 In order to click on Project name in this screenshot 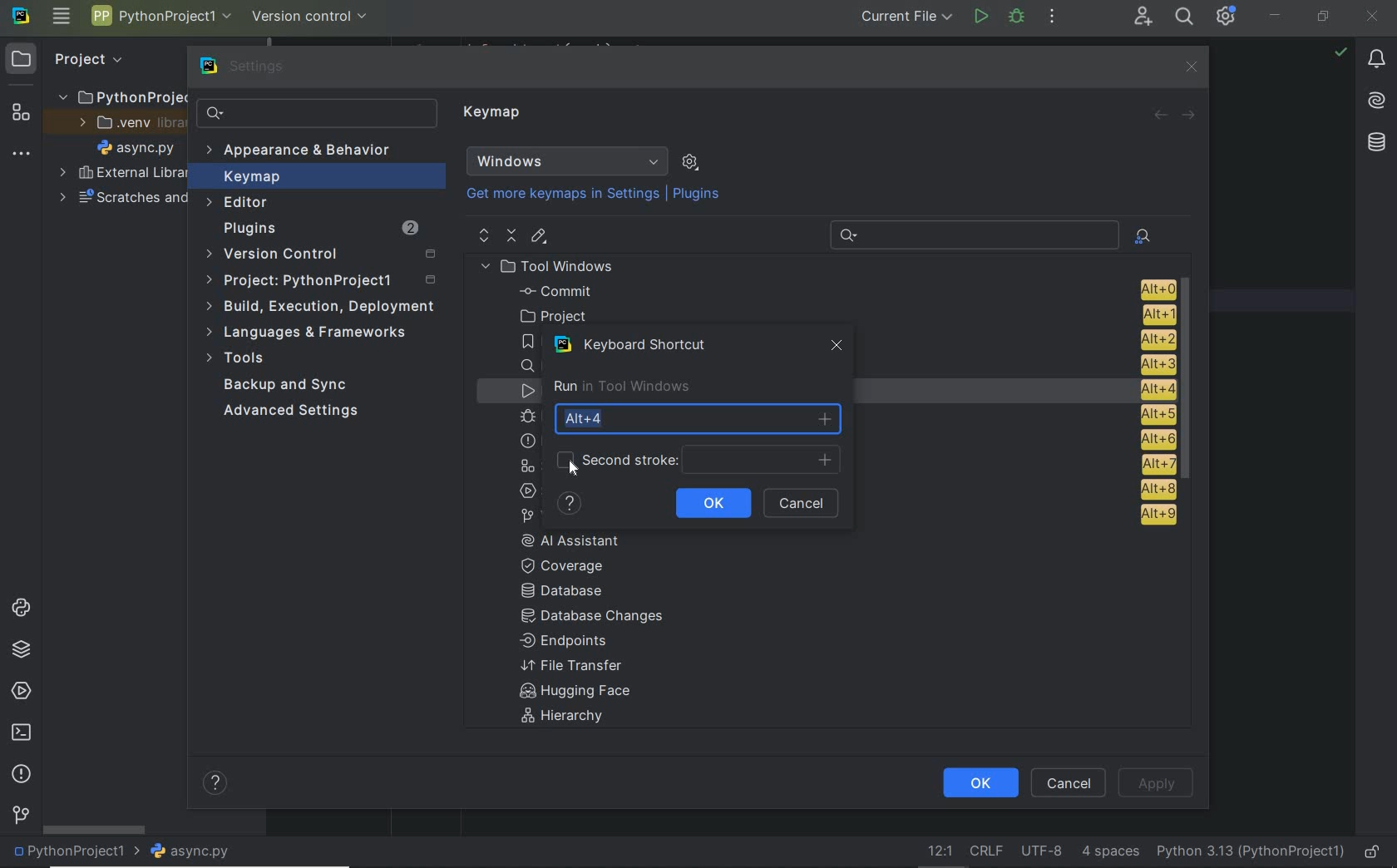, I will do `click(161, 19)`.